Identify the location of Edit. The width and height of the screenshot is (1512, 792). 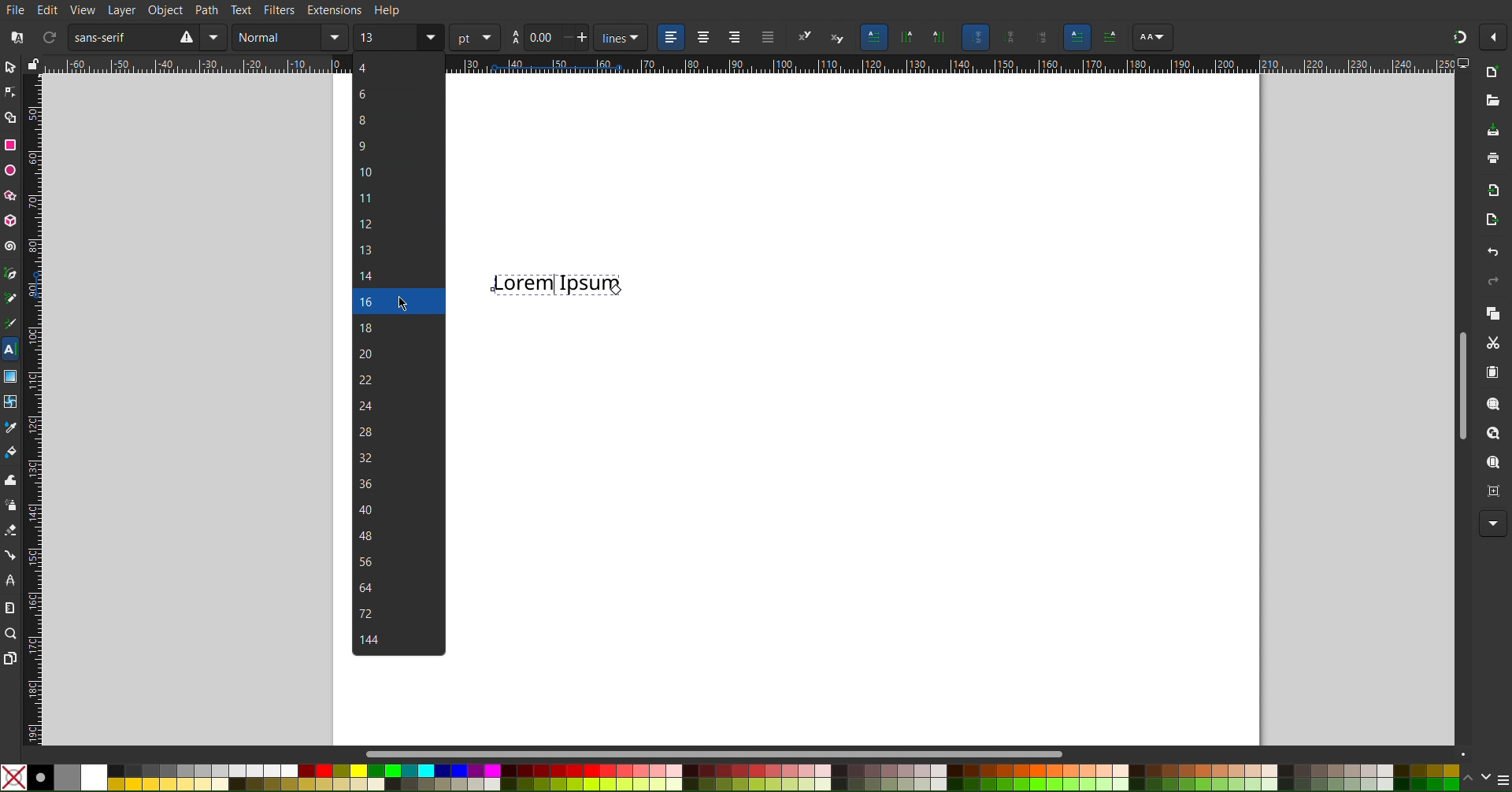
(49, 9).